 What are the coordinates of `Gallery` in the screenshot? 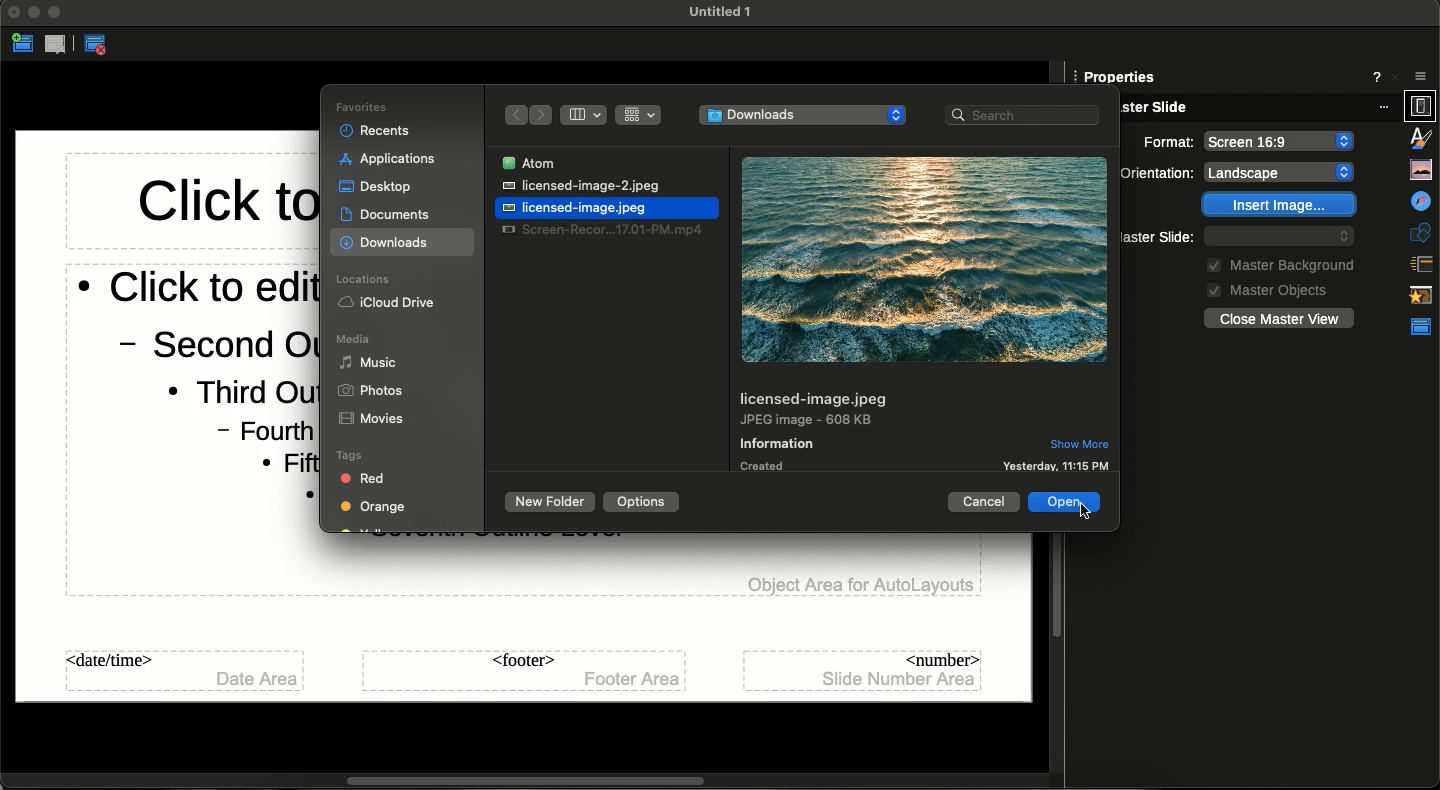 It's located at (1420, 136).